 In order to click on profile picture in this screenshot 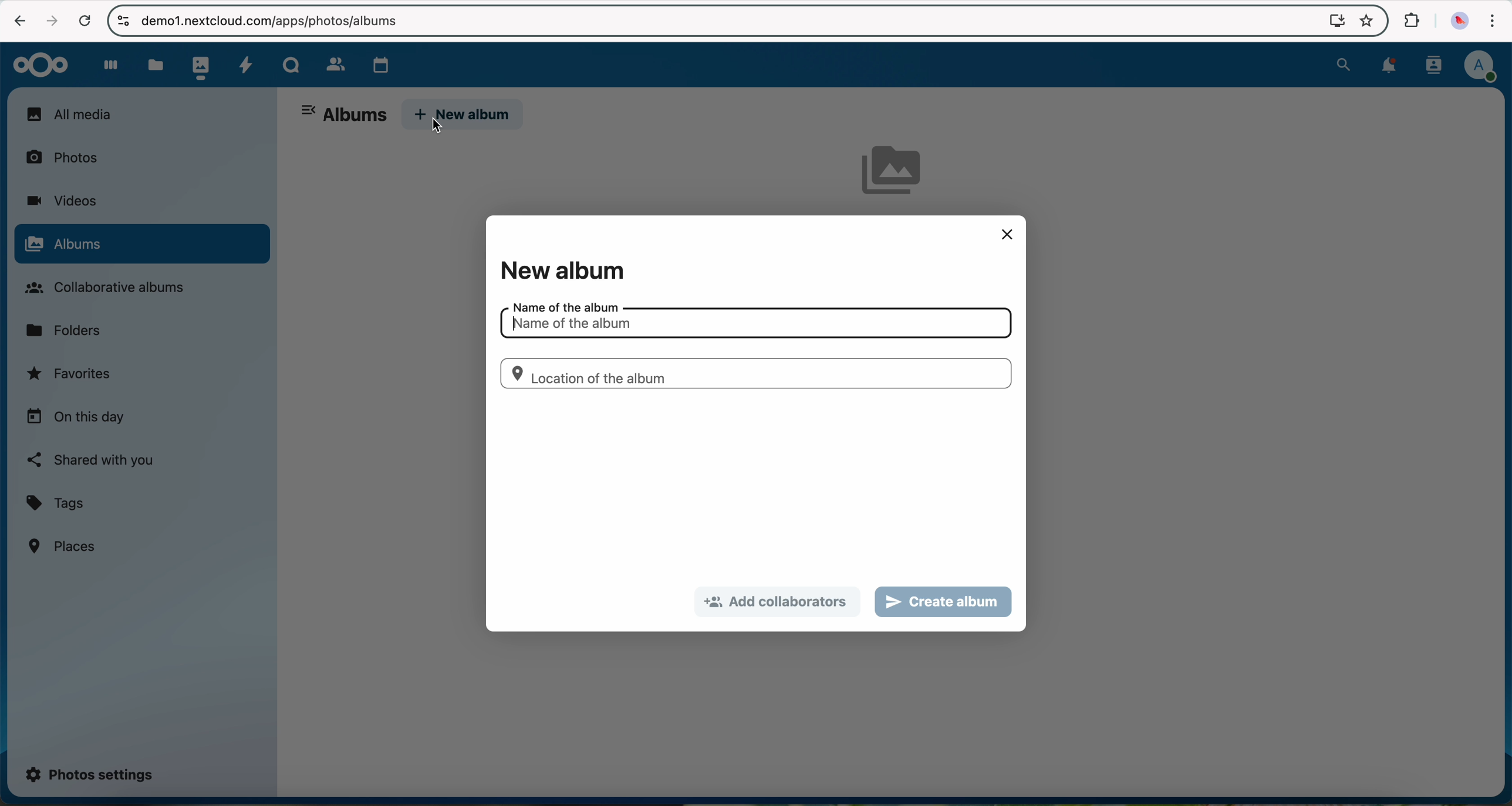, I will do `click(1457, 22)`.